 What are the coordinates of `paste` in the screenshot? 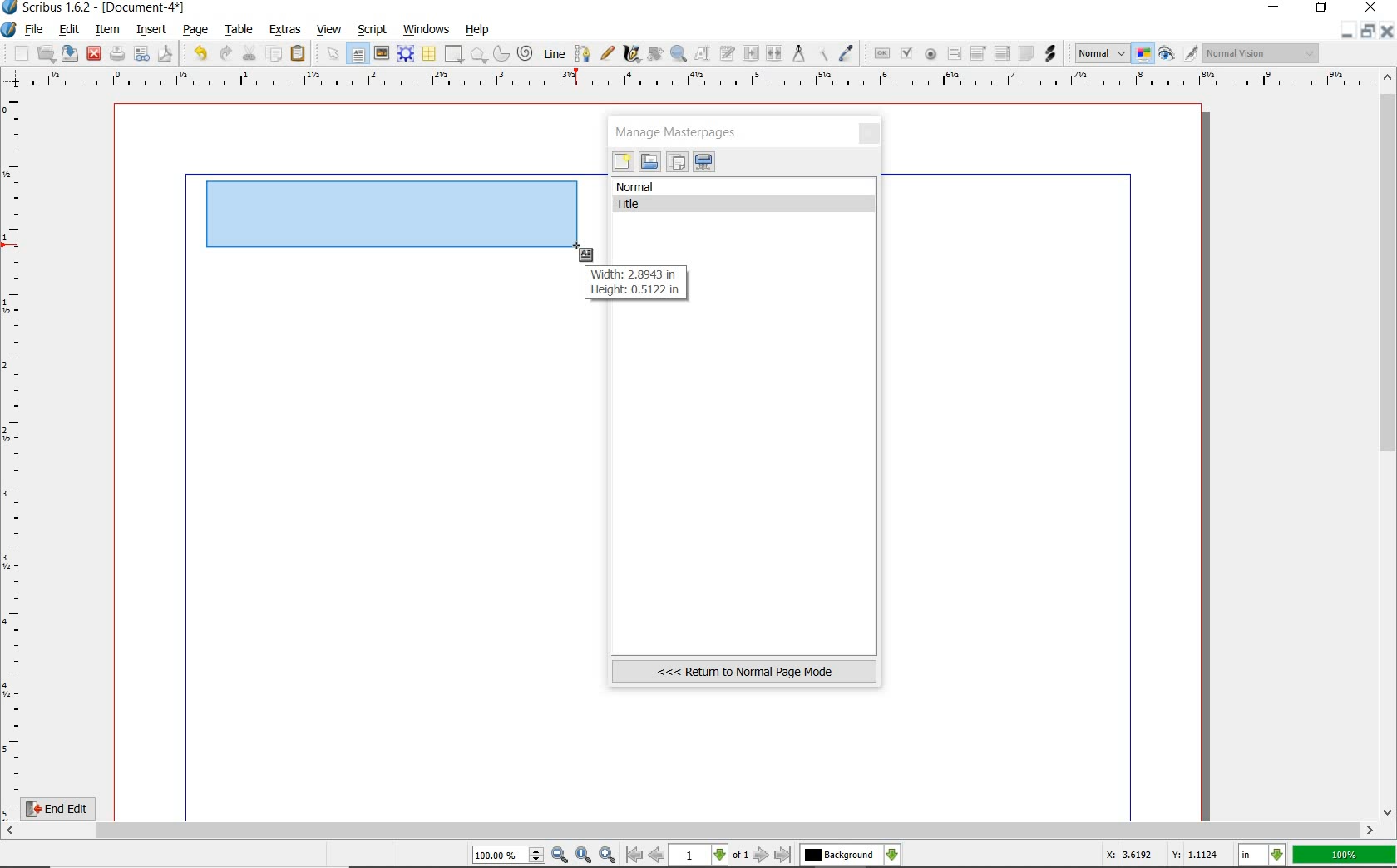 It's located at (299, 54).